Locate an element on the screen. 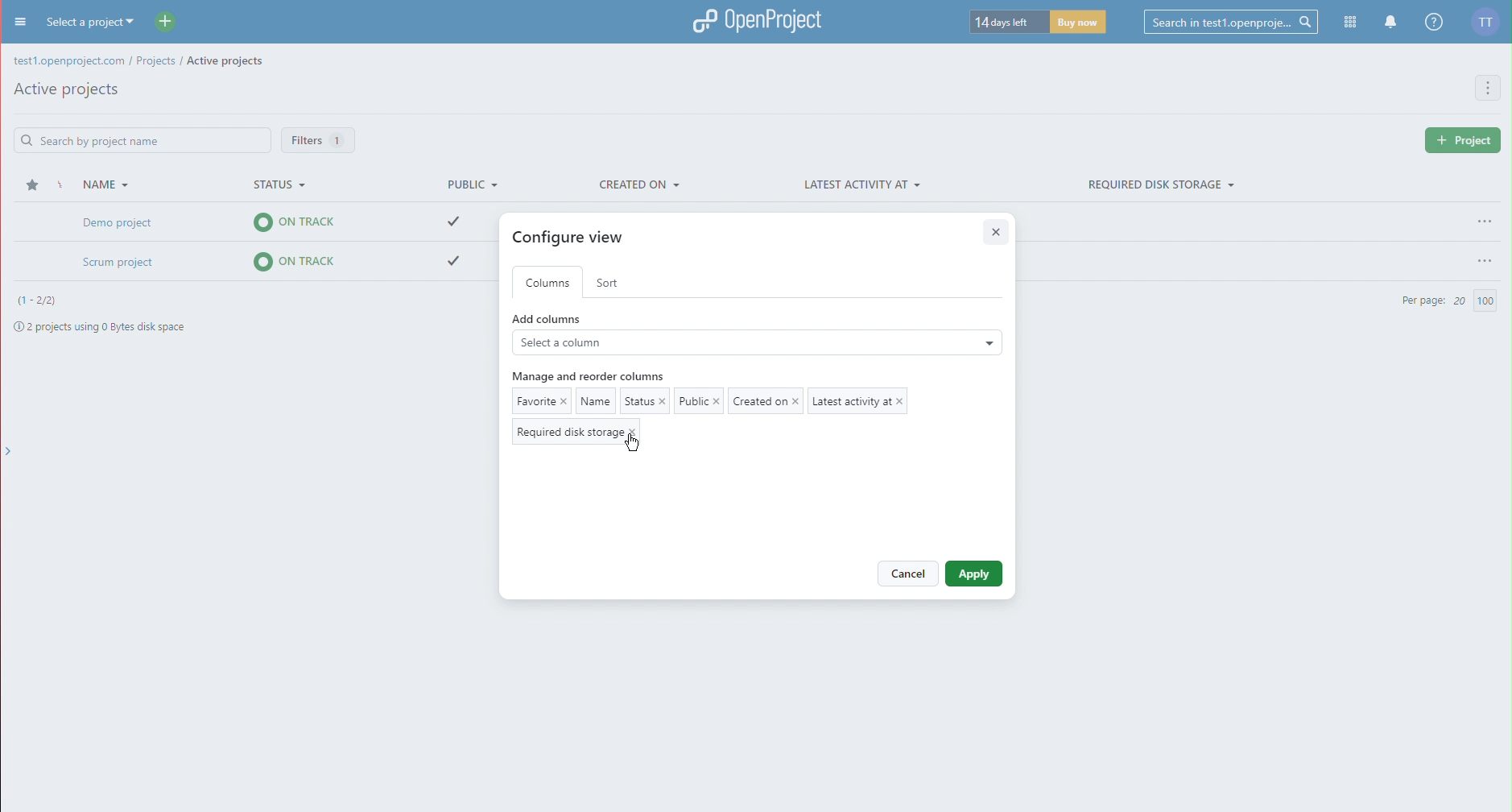  Active Projects is located at coordinates (67, 91).